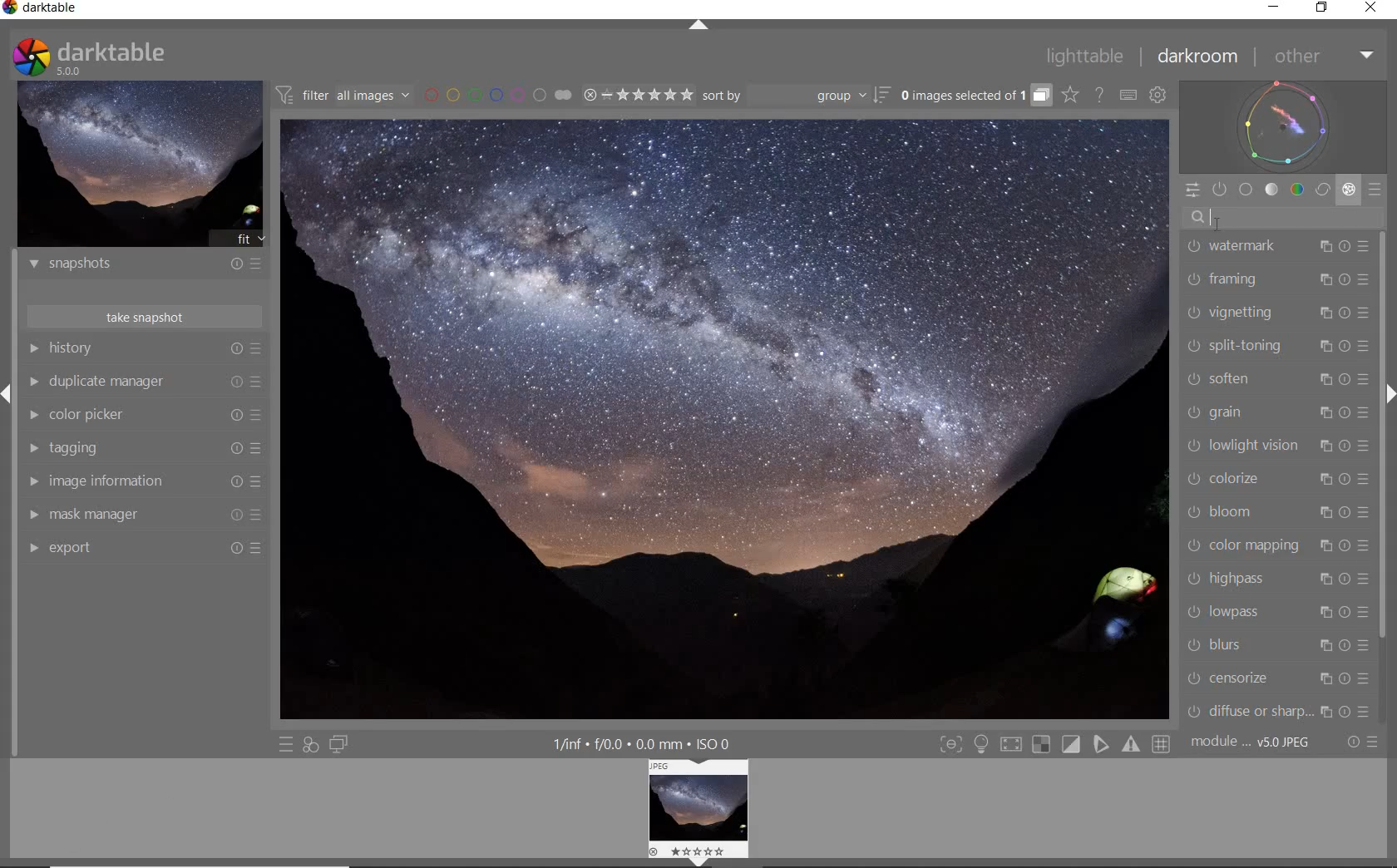 This screenshot has height=868, width=1397. Describe the element at coordinates (10, 11) in the screenshot. I see `darktable logo` at that location.